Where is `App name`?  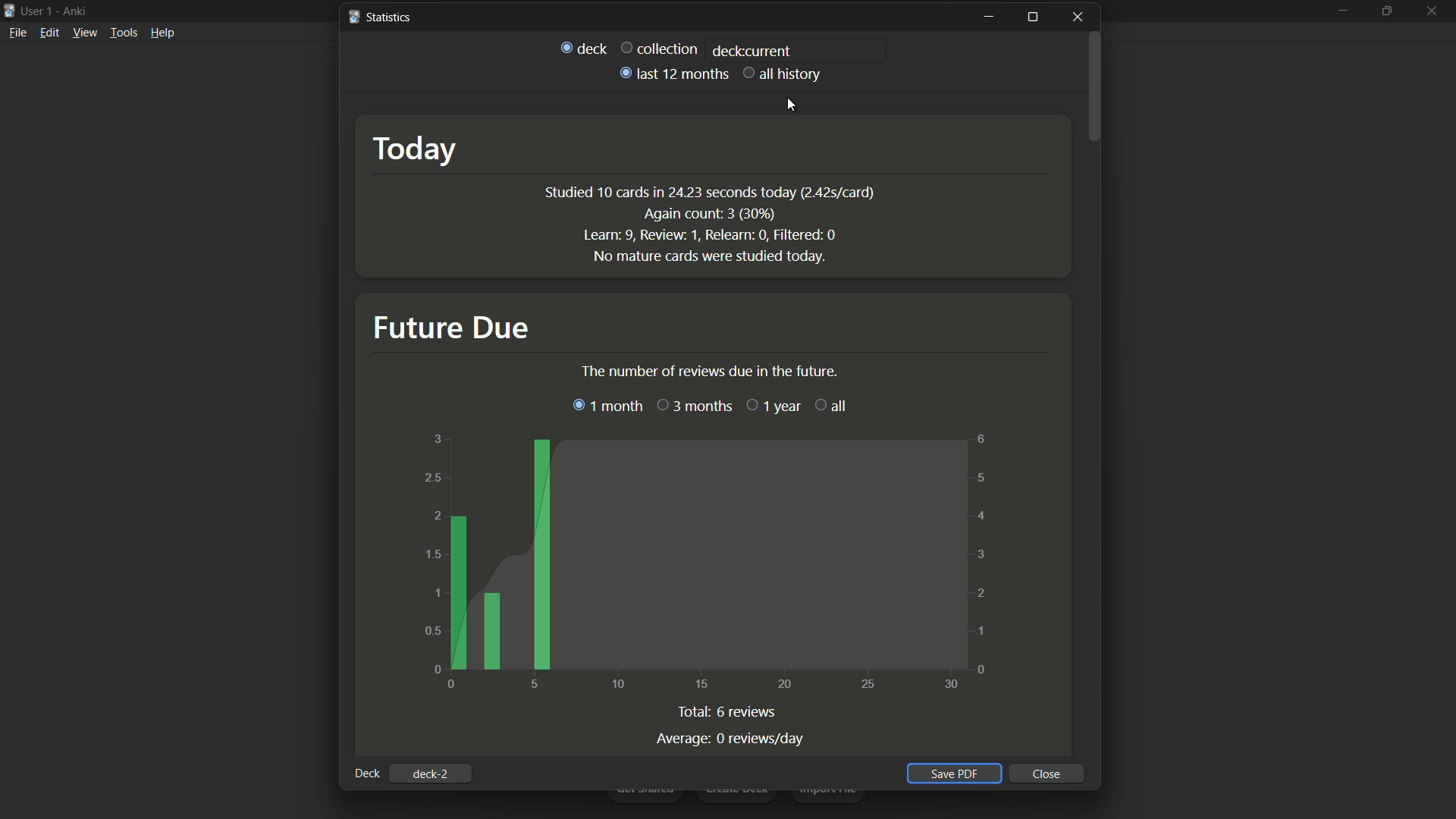
App name is located at coordinates (77, 11).